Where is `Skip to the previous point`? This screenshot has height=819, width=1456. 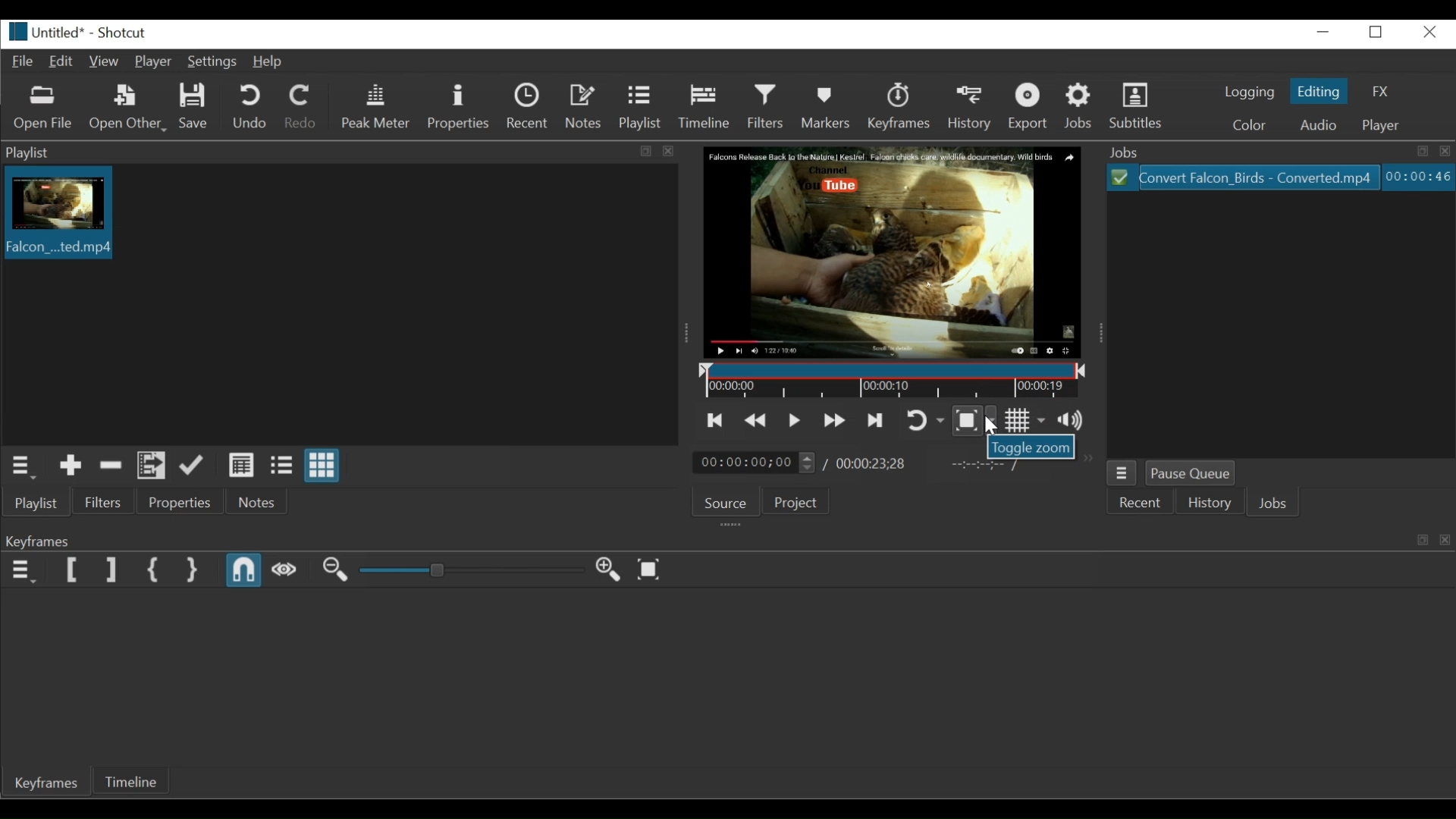 Skip to the previous point is located at coordinates (711, 420).